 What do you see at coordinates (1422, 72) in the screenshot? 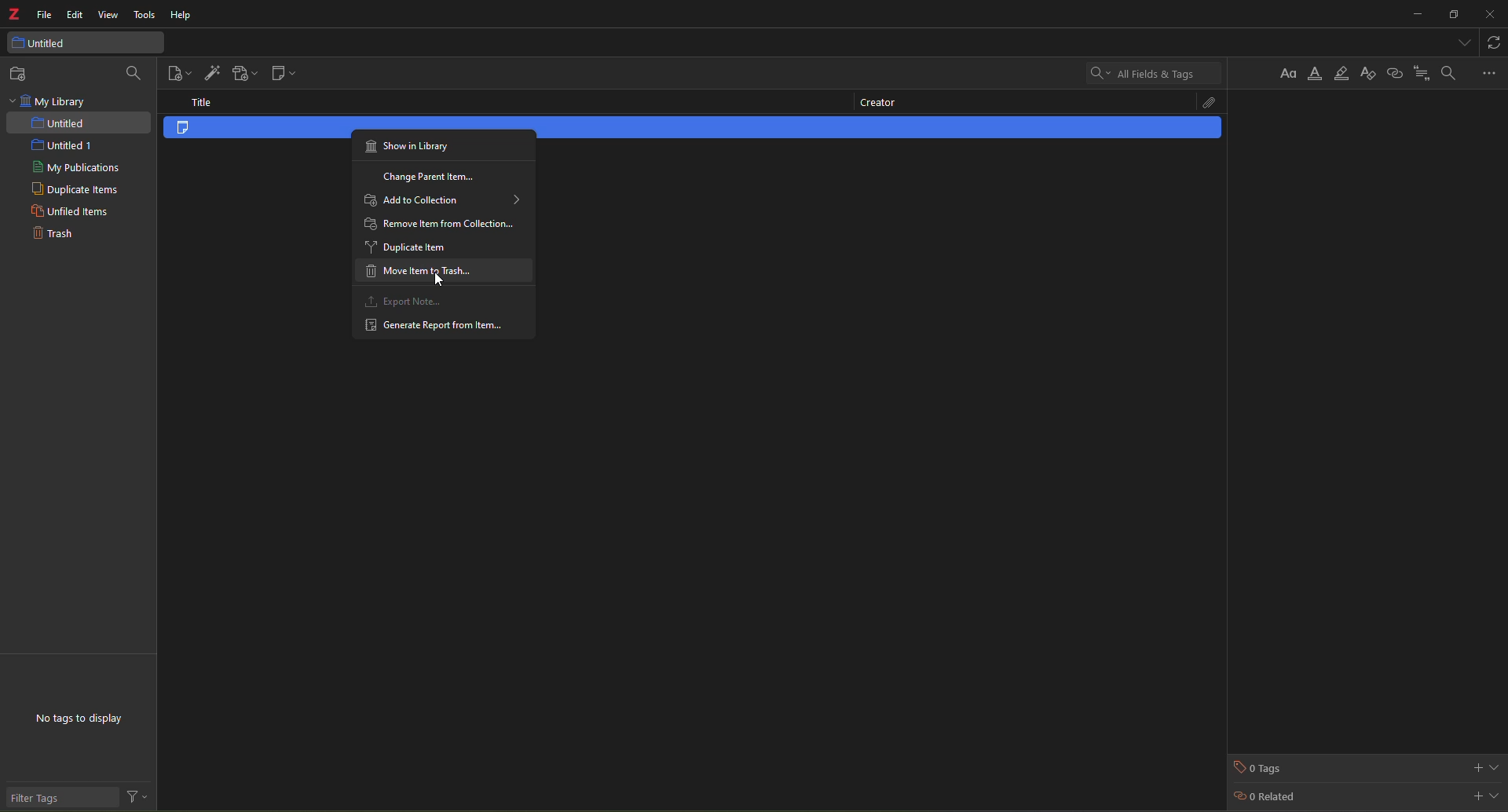
I see `citation` at bounding box center [1422, 72].